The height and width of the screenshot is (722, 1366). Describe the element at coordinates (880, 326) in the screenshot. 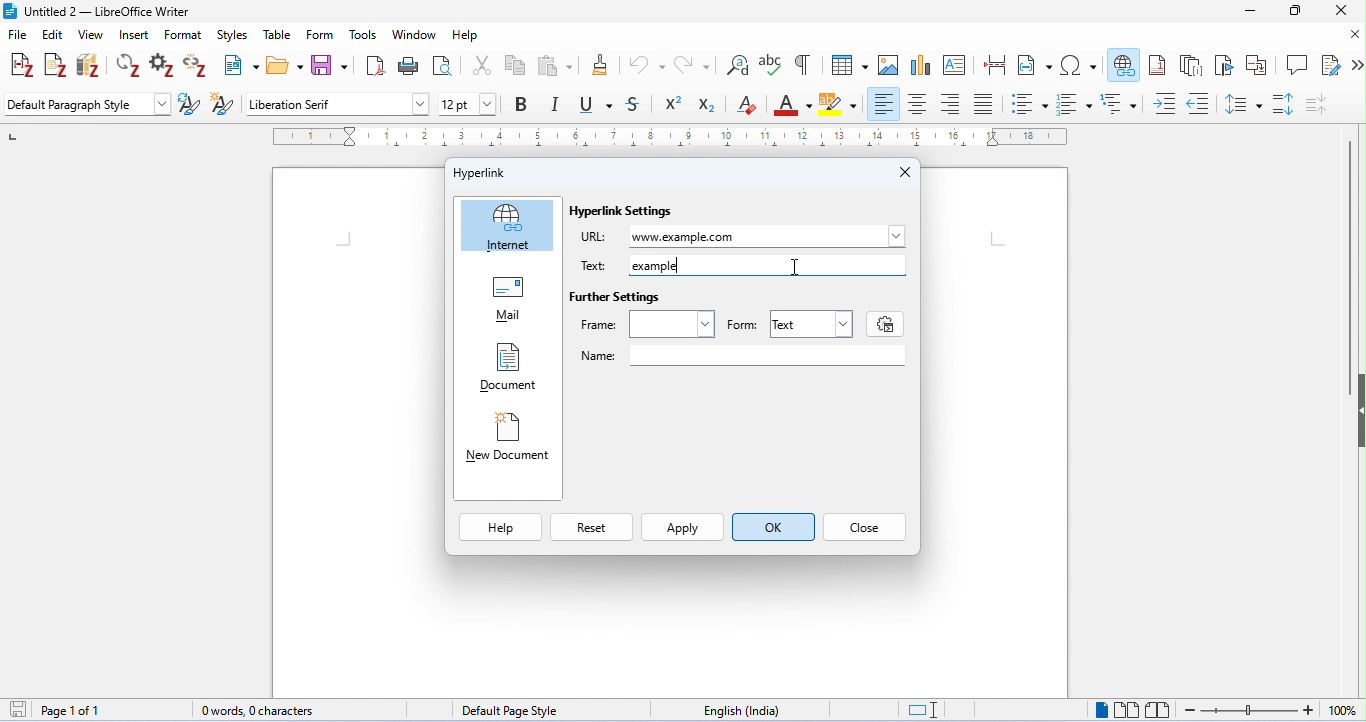

I see `settings` at that location.